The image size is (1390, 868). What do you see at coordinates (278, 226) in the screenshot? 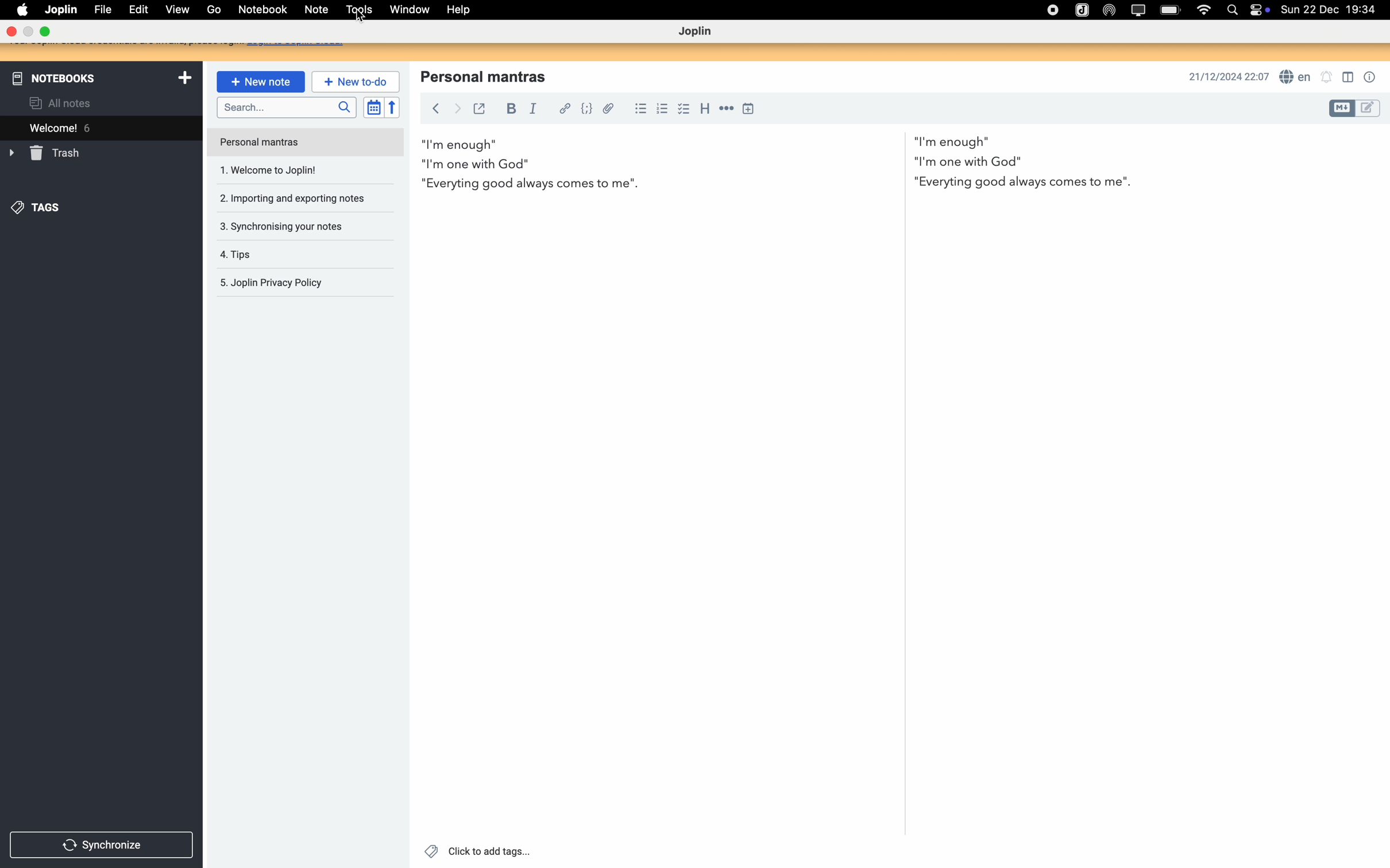
I see `synchronising your notes` at bounding box center [278, 226].